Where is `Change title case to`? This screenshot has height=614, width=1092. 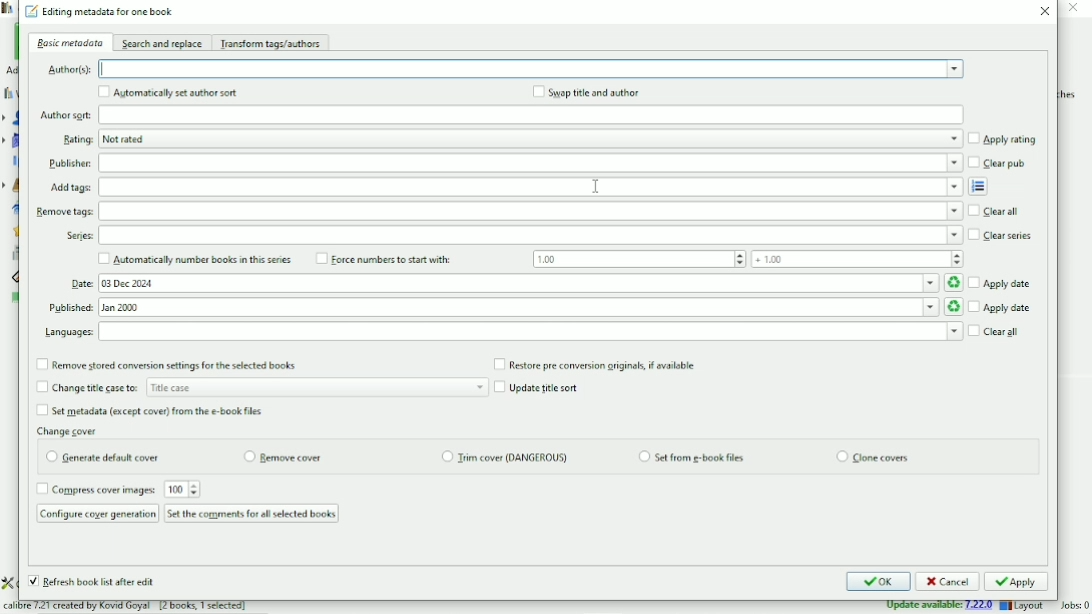 Change title case to is located at coordinates (261, 386).